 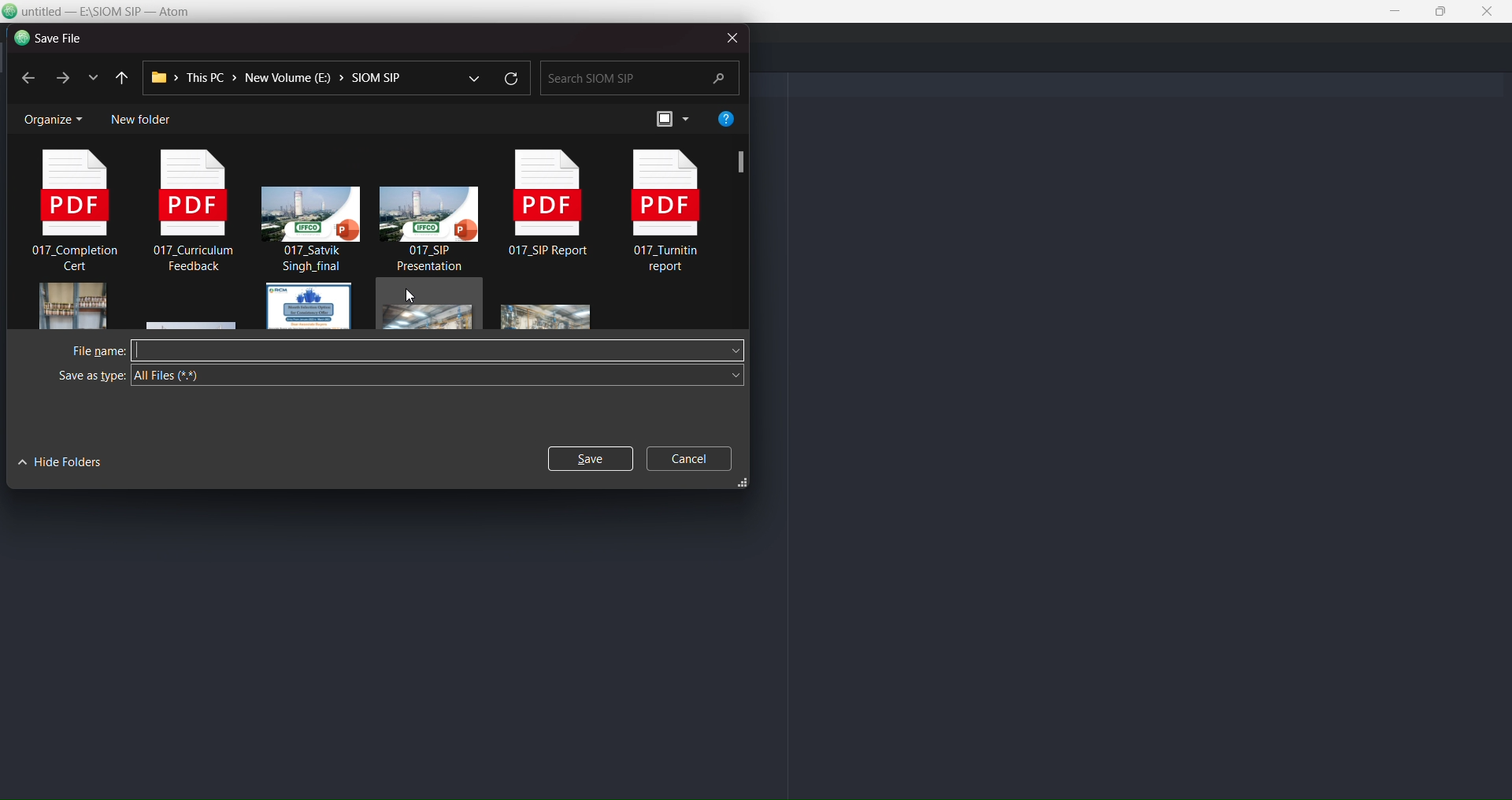 What do you see at coordinates (27, 78) in the screenshot?
I see `previous` at bounding box center [27, 78].